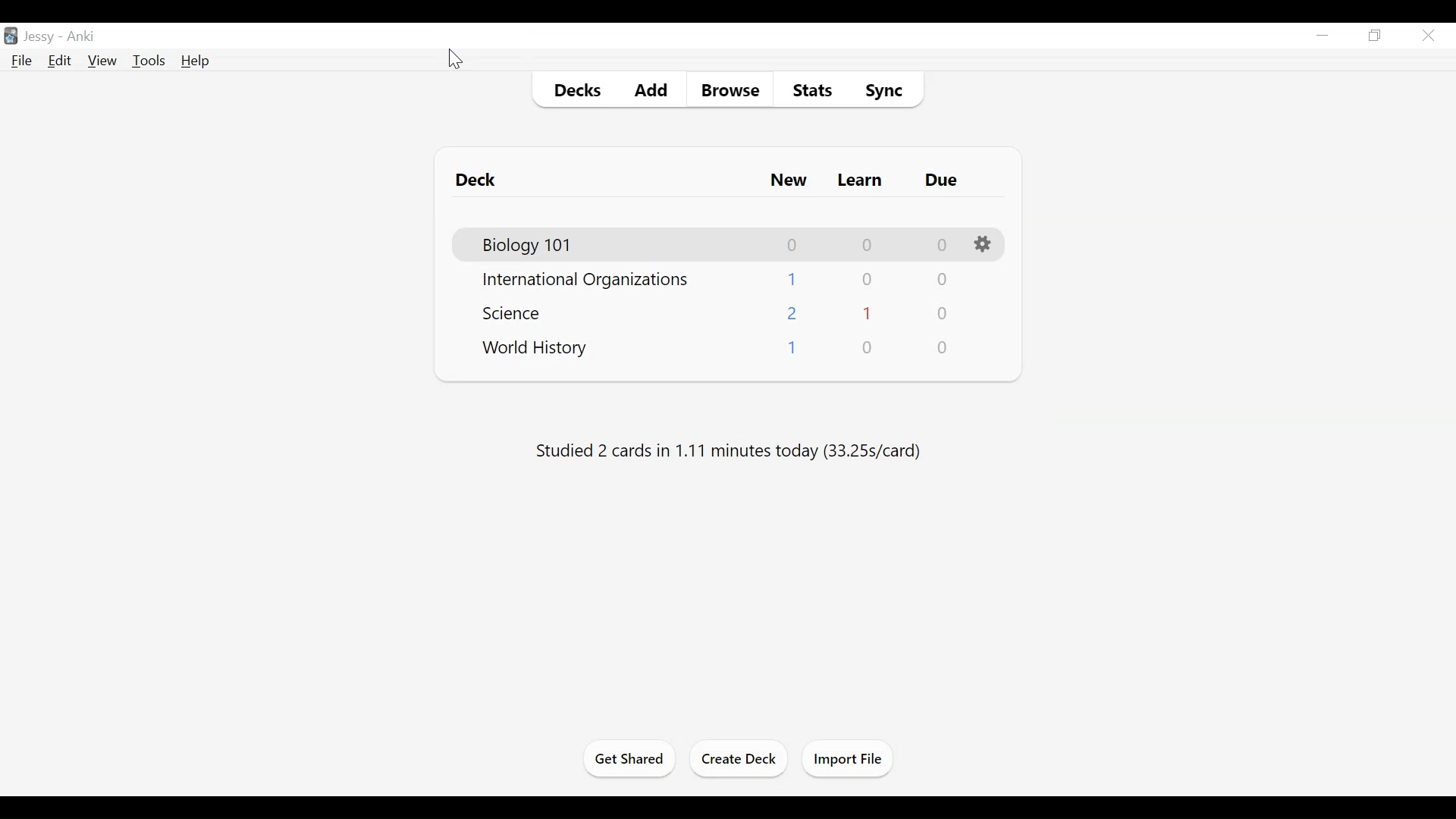 This screenshot has height=819, width=1456. Describe the element at coordinates (852, 760) in the screenshot. I see `Import Files` at that location.